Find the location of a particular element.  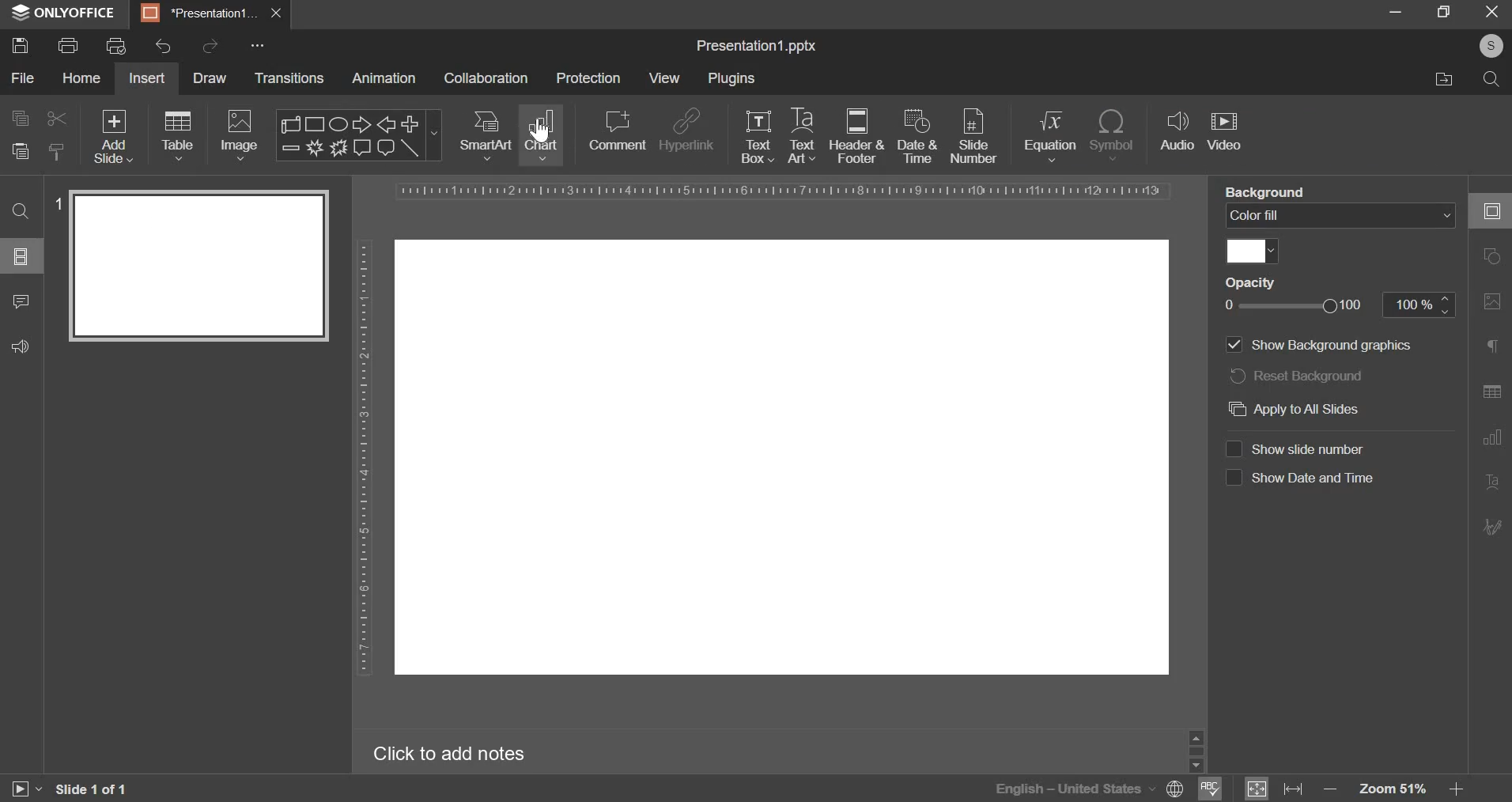

shape settings is located at coordinates (1495, 257).